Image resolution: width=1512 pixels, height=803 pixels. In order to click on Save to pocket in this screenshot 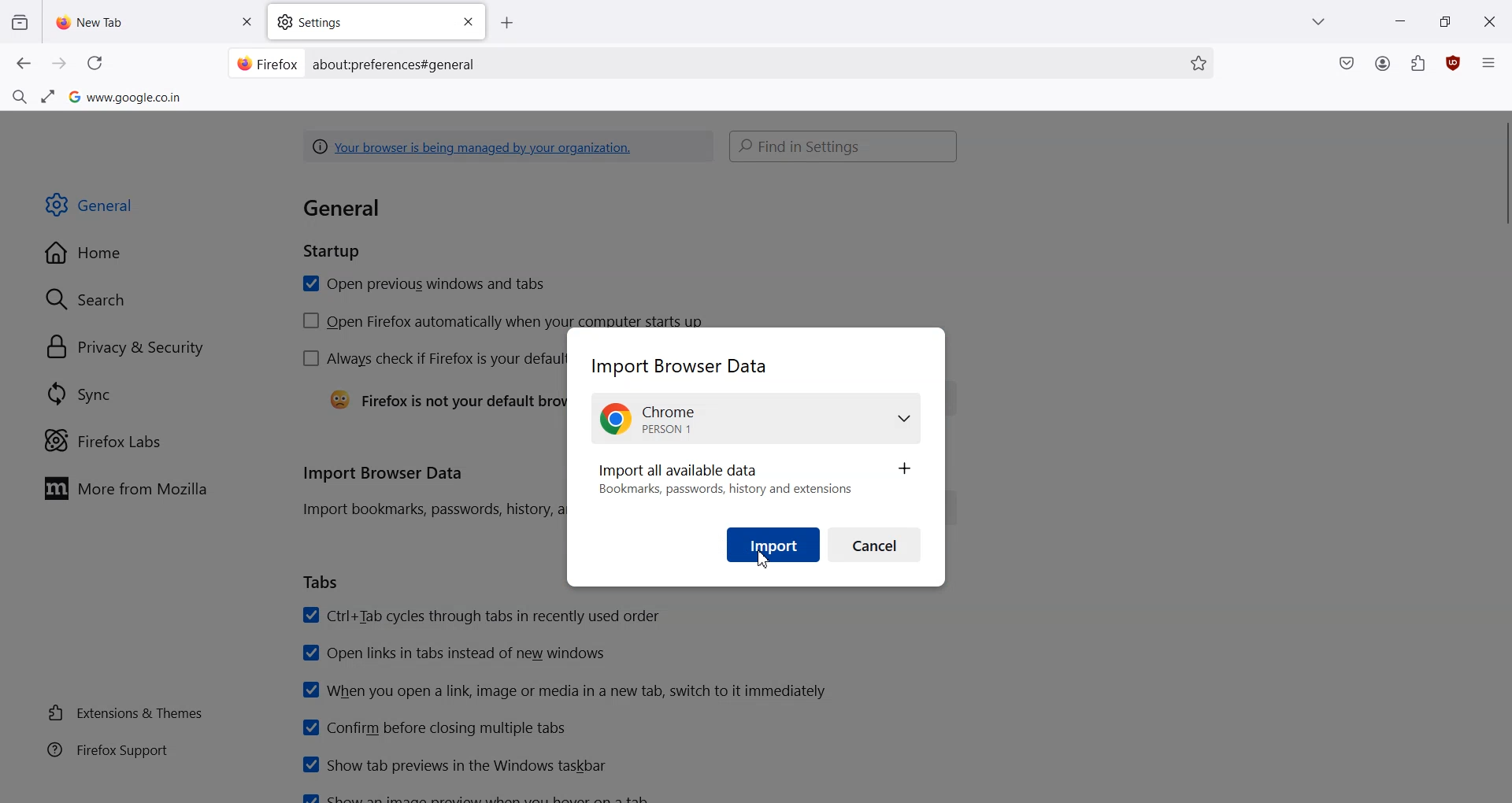, I will do `click(1347, 65)`.